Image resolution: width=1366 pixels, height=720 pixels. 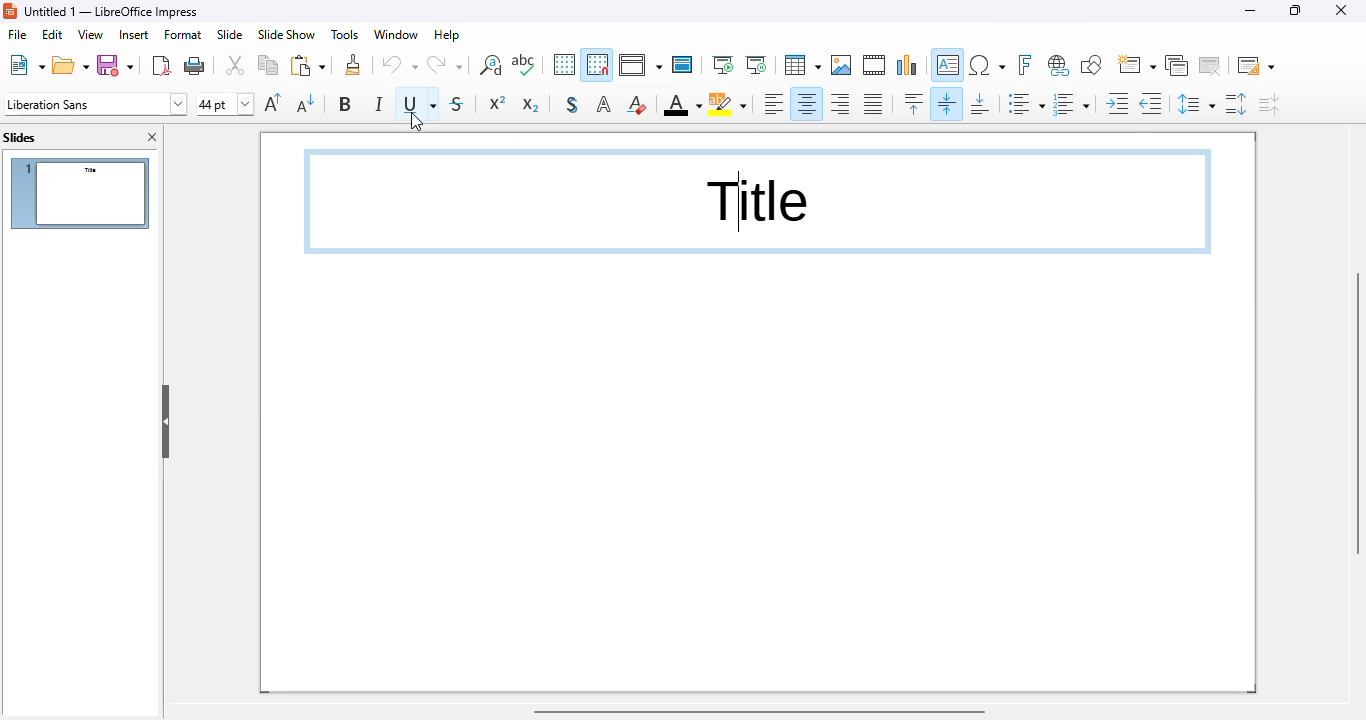 What do you see at coordinates (637, 105) in the screenshot?
I see `clear direct formatting` at bounding box center [637, 105].